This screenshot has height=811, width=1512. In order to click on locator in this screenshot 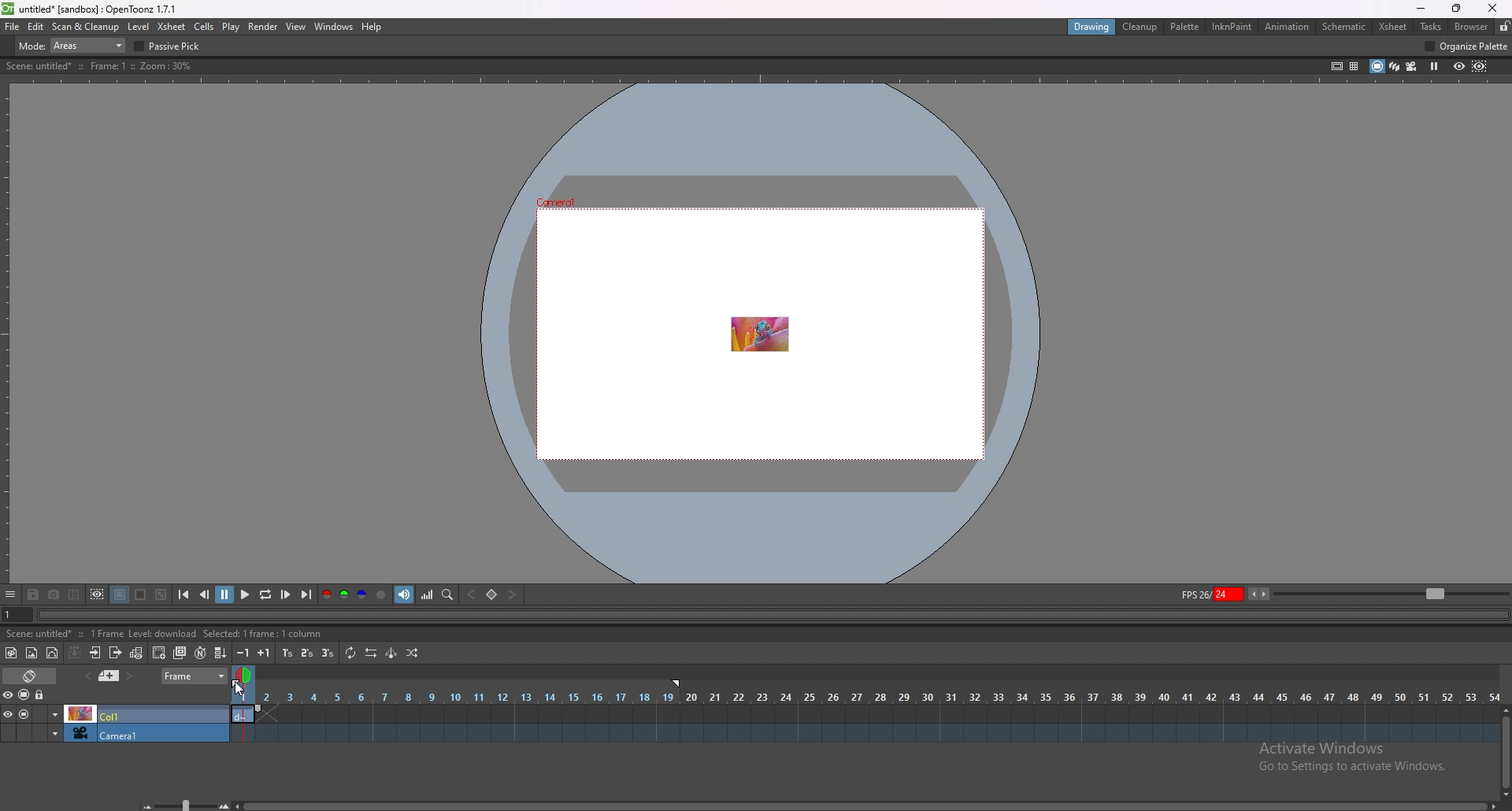, I will do `click(449, 595)`.